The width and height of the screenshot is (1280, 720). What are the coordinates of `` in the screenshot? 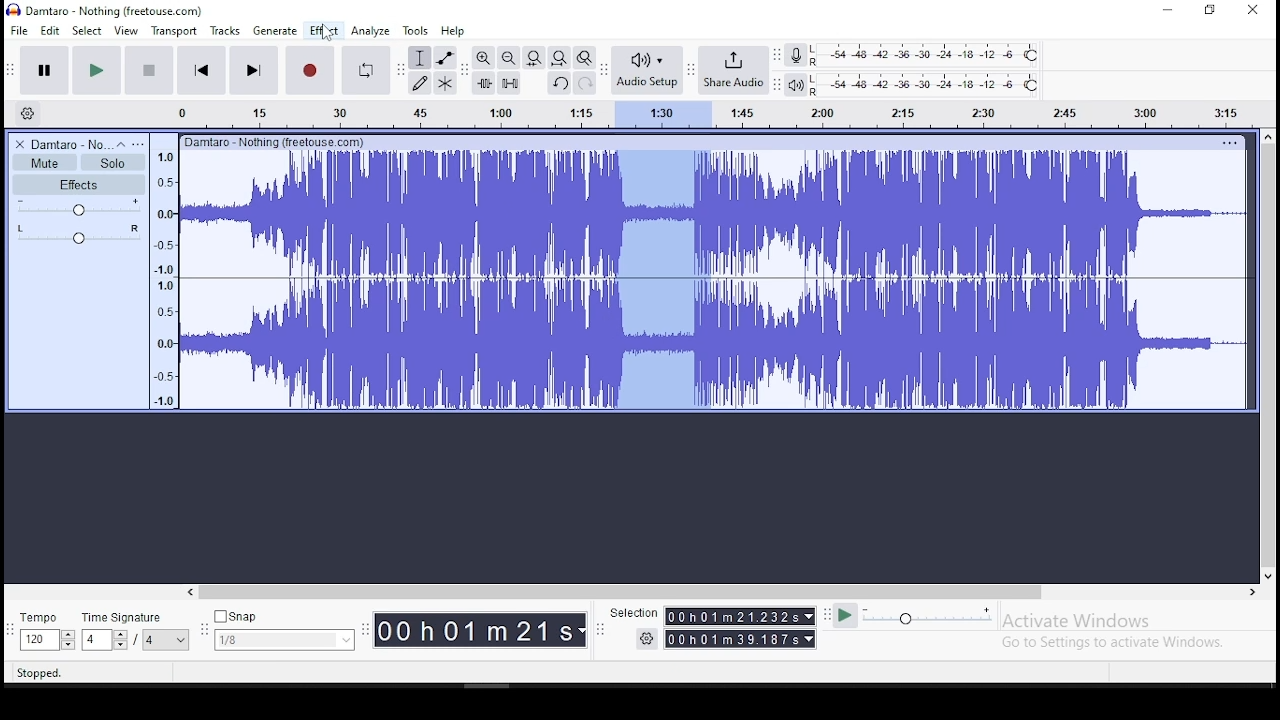 It's located at (601, 630).